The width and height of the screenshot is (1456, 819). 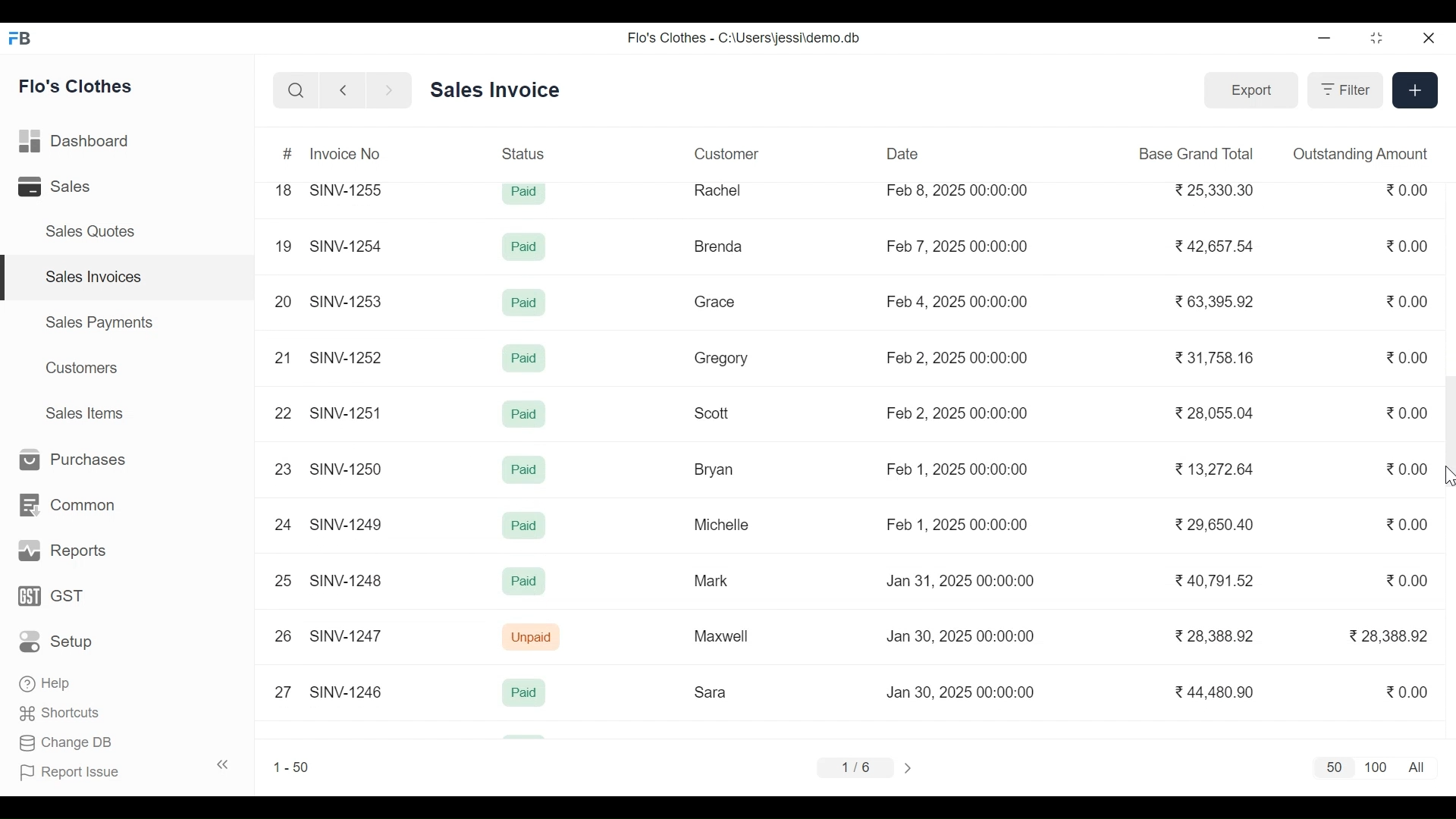 What do you see at coordinates (1213, 524) in the screenshot?
I see `29,650.40` at bounding box center [1213, 524].